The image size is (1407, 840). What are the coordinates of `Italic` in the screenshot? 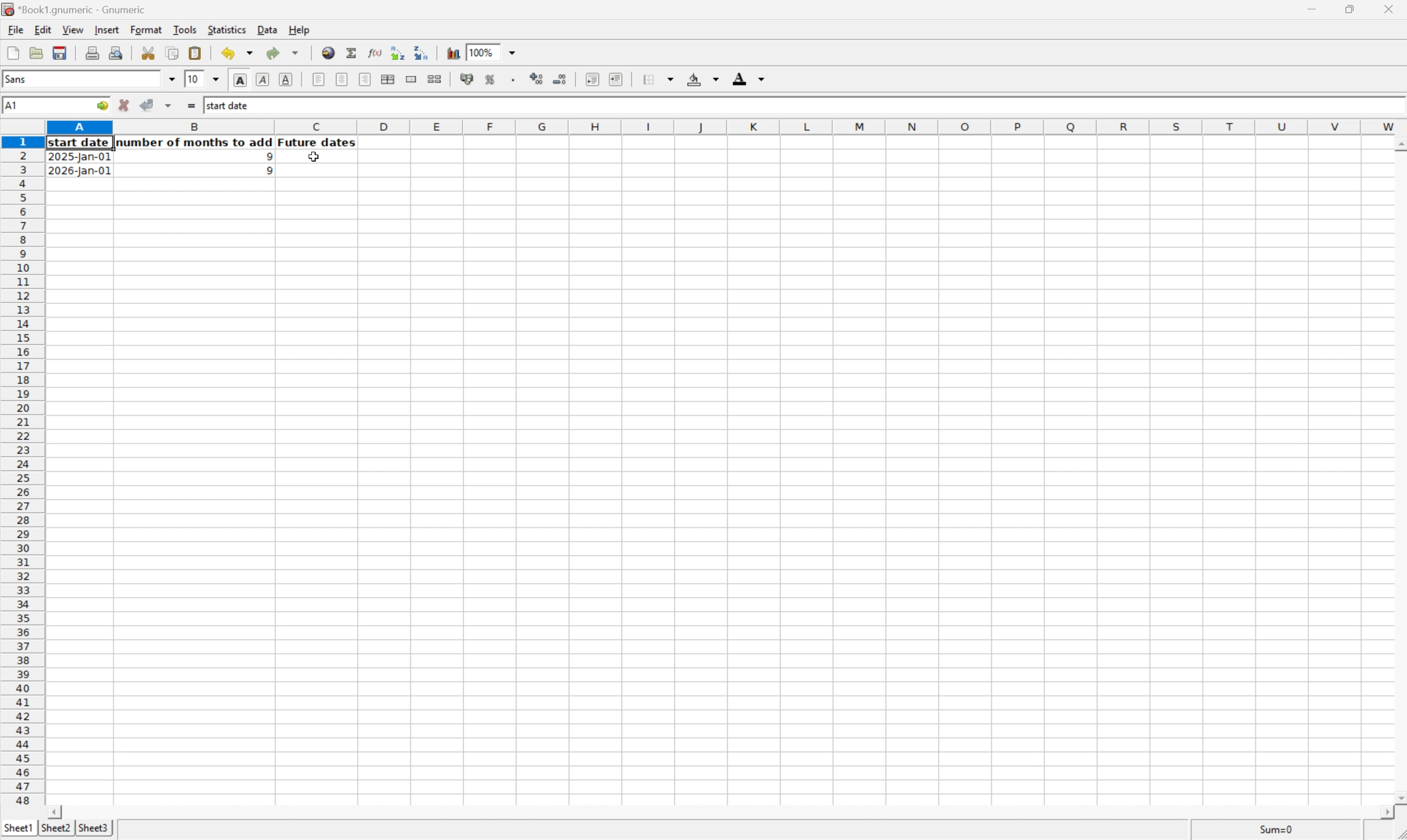 It's located at (263, 79).